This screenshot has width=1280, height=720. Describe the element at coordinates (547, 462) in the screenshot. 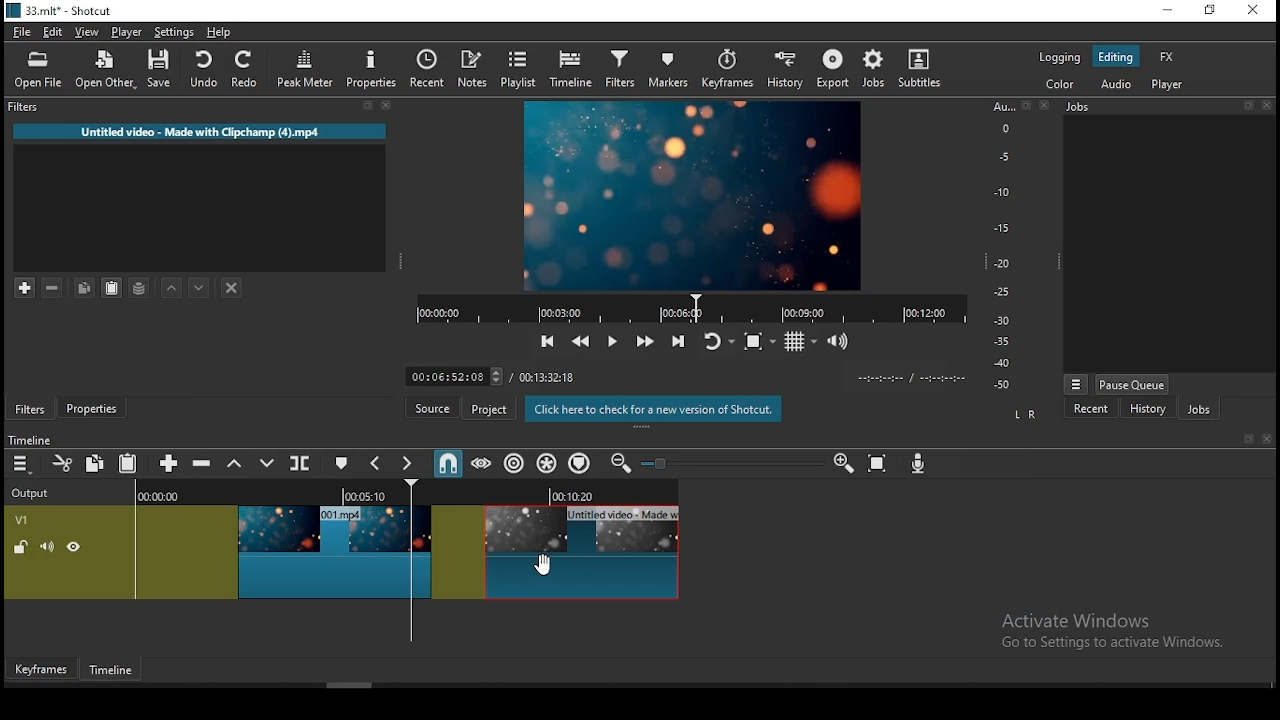

I see `ripple all tracks` at that location.